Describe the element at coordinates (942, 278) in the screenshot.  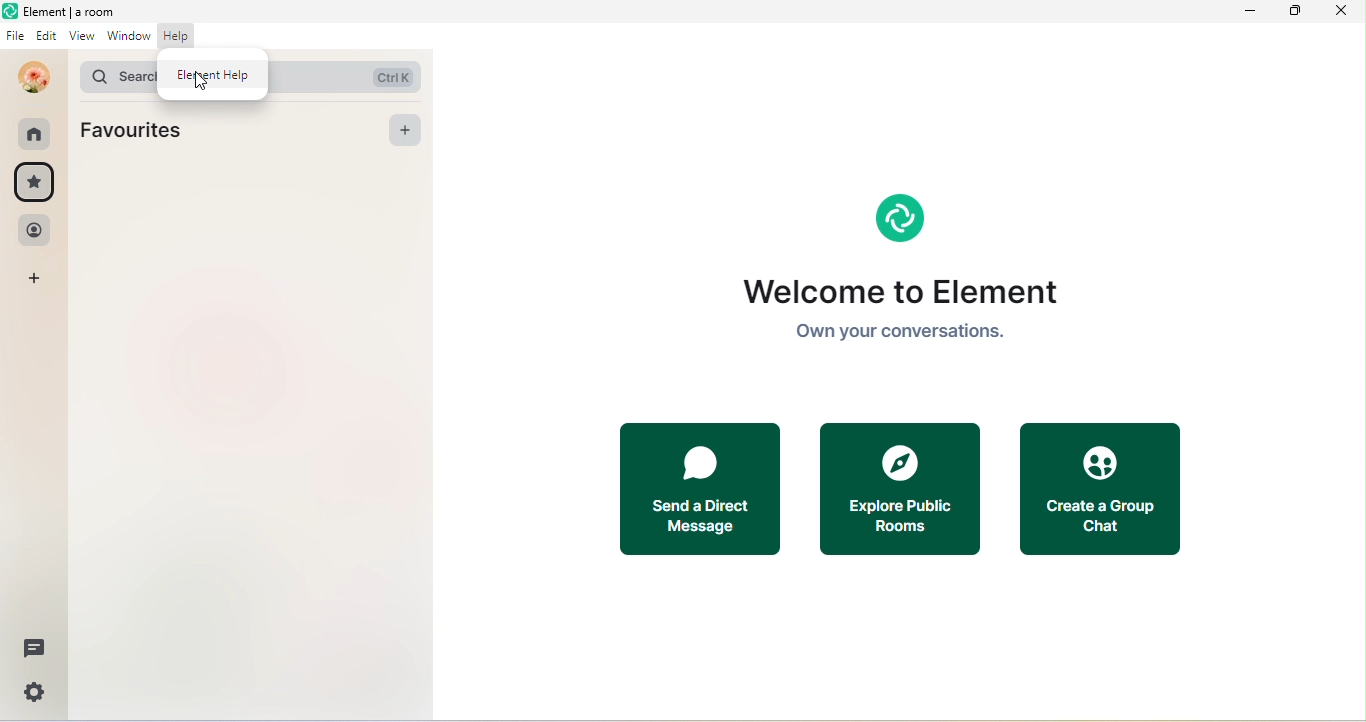
I see `Welcome to Element Own your conversations.` at that location.